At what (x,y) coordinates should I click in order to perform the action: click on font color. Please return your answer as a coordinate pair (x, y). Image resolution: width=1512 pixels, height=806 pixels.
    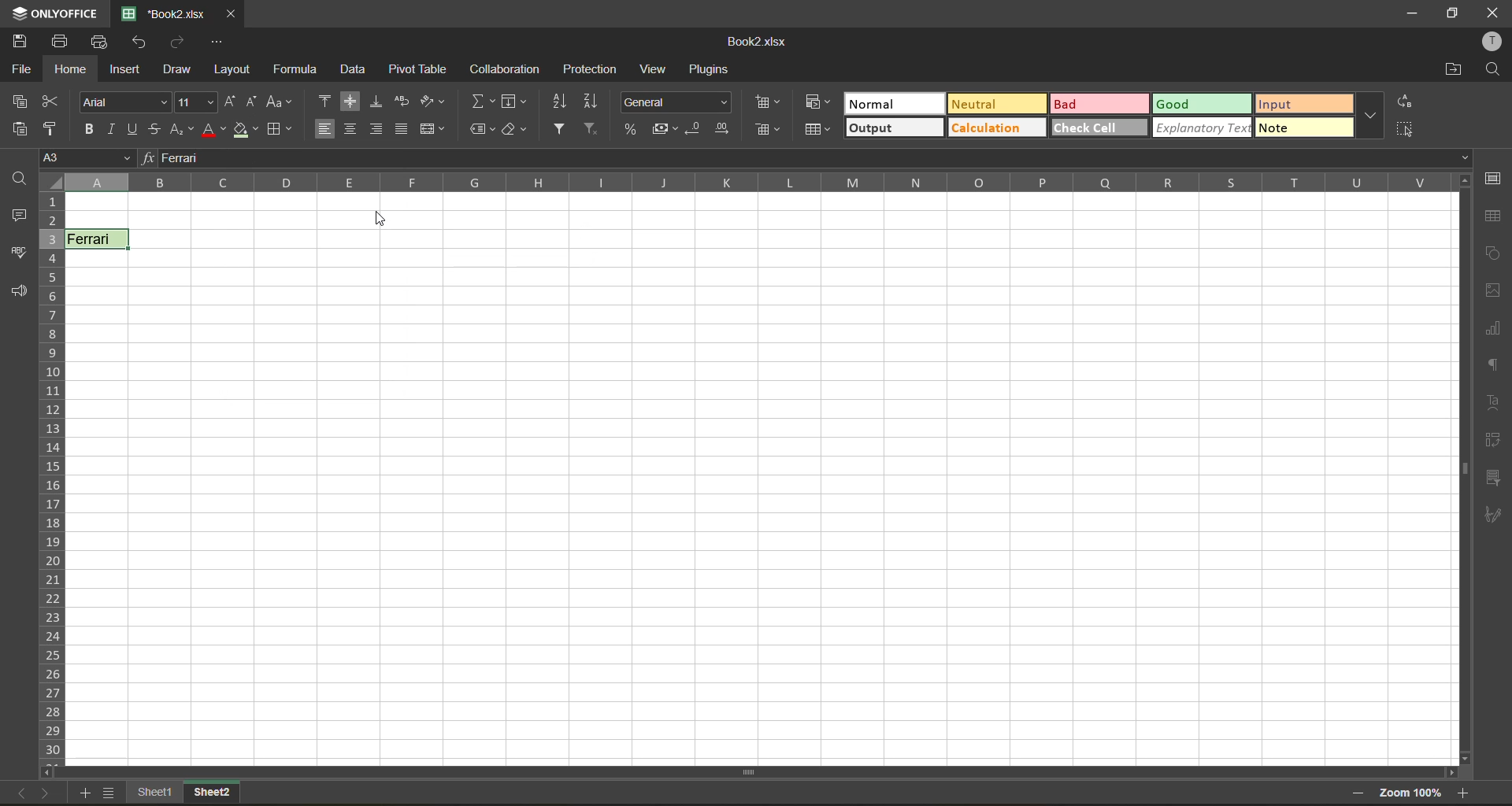
    Looking at the image, I should click on (213, 130).